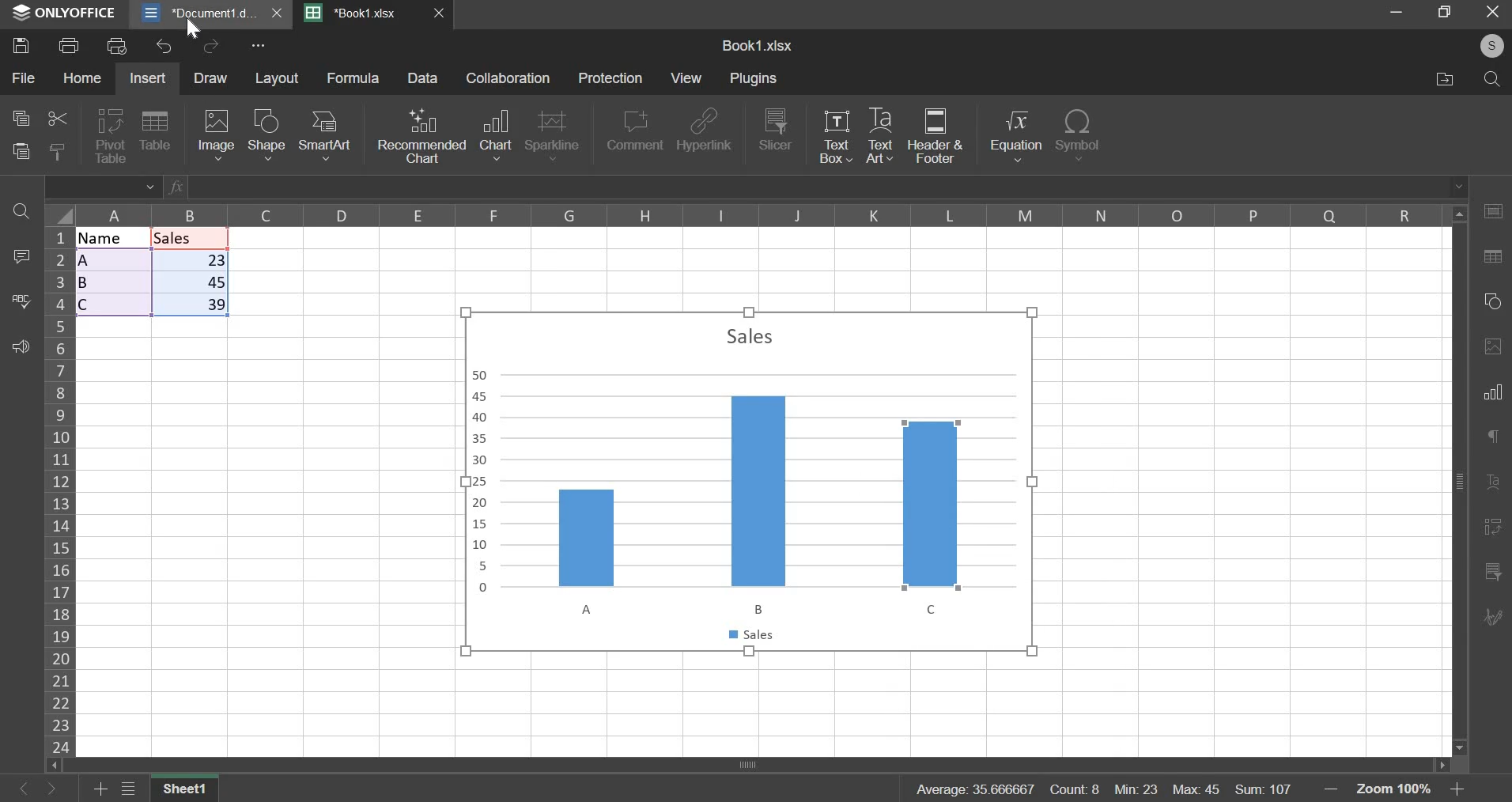 The height and width of the screenshot is (802, 1512). I want to click on recommended chart, so click(421, 135).